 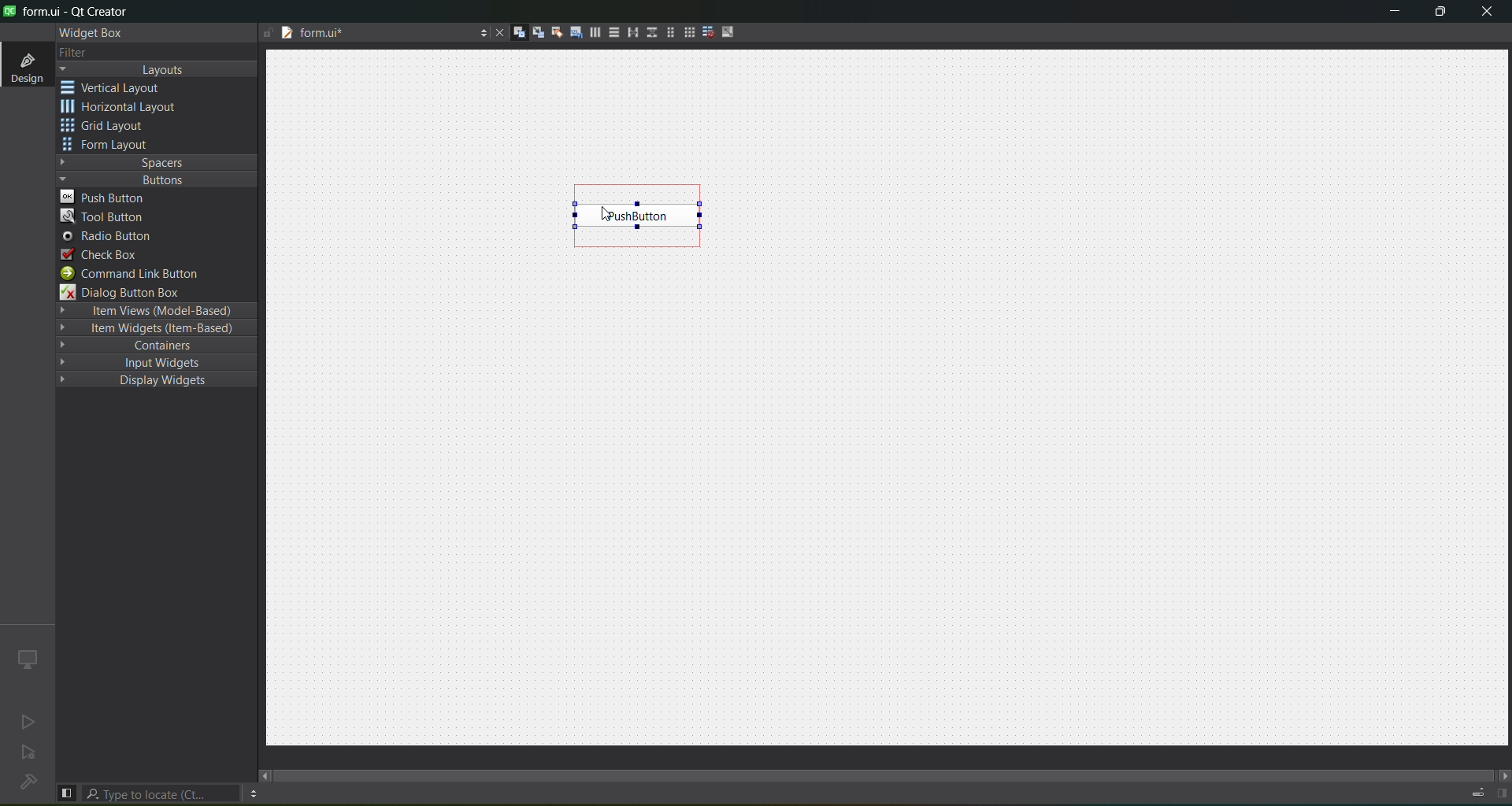 I want to click on Progress details, so click(x=1470, y=790).